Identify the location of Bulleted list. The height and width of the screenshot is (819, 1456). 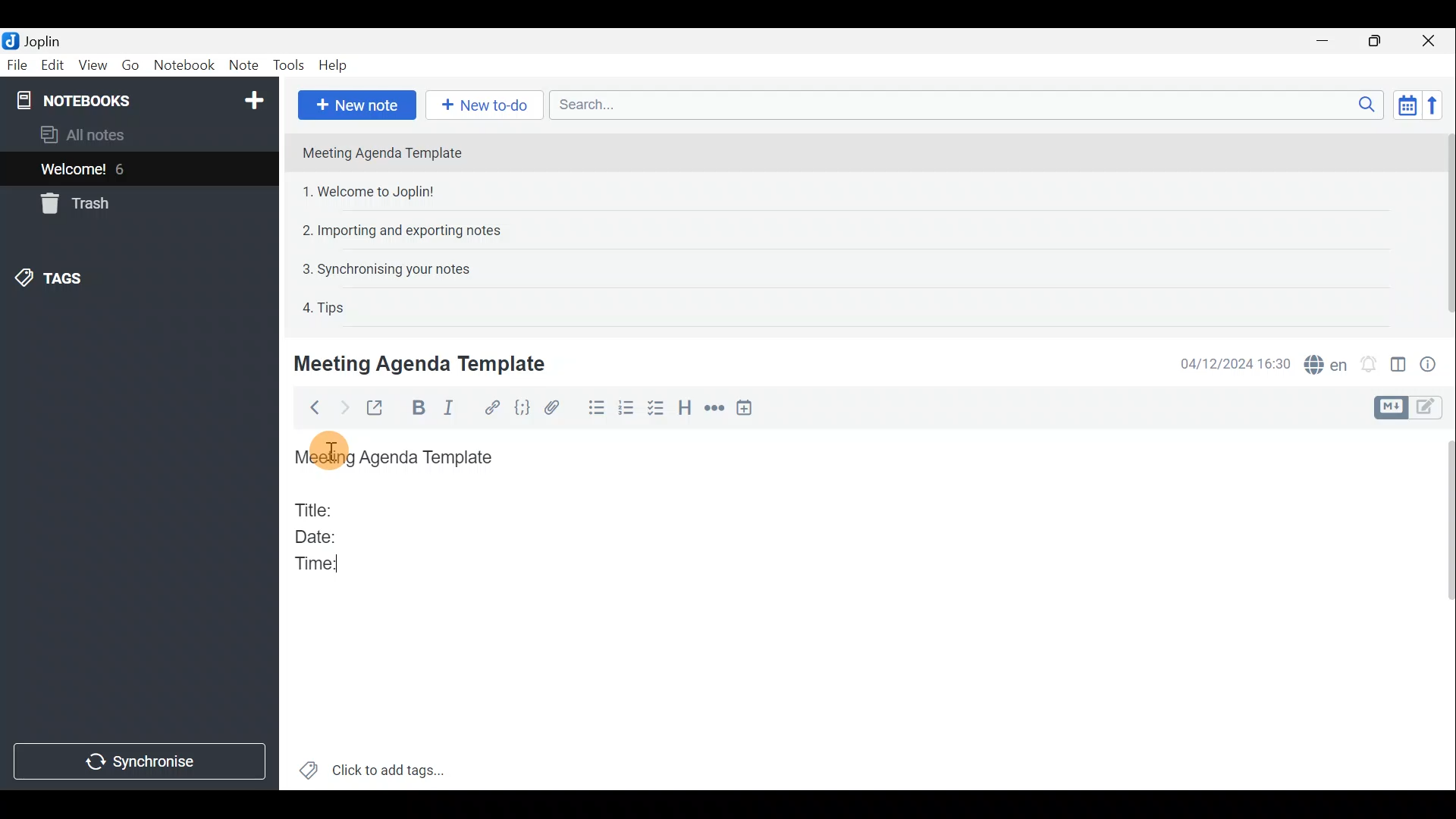
(595, 408).